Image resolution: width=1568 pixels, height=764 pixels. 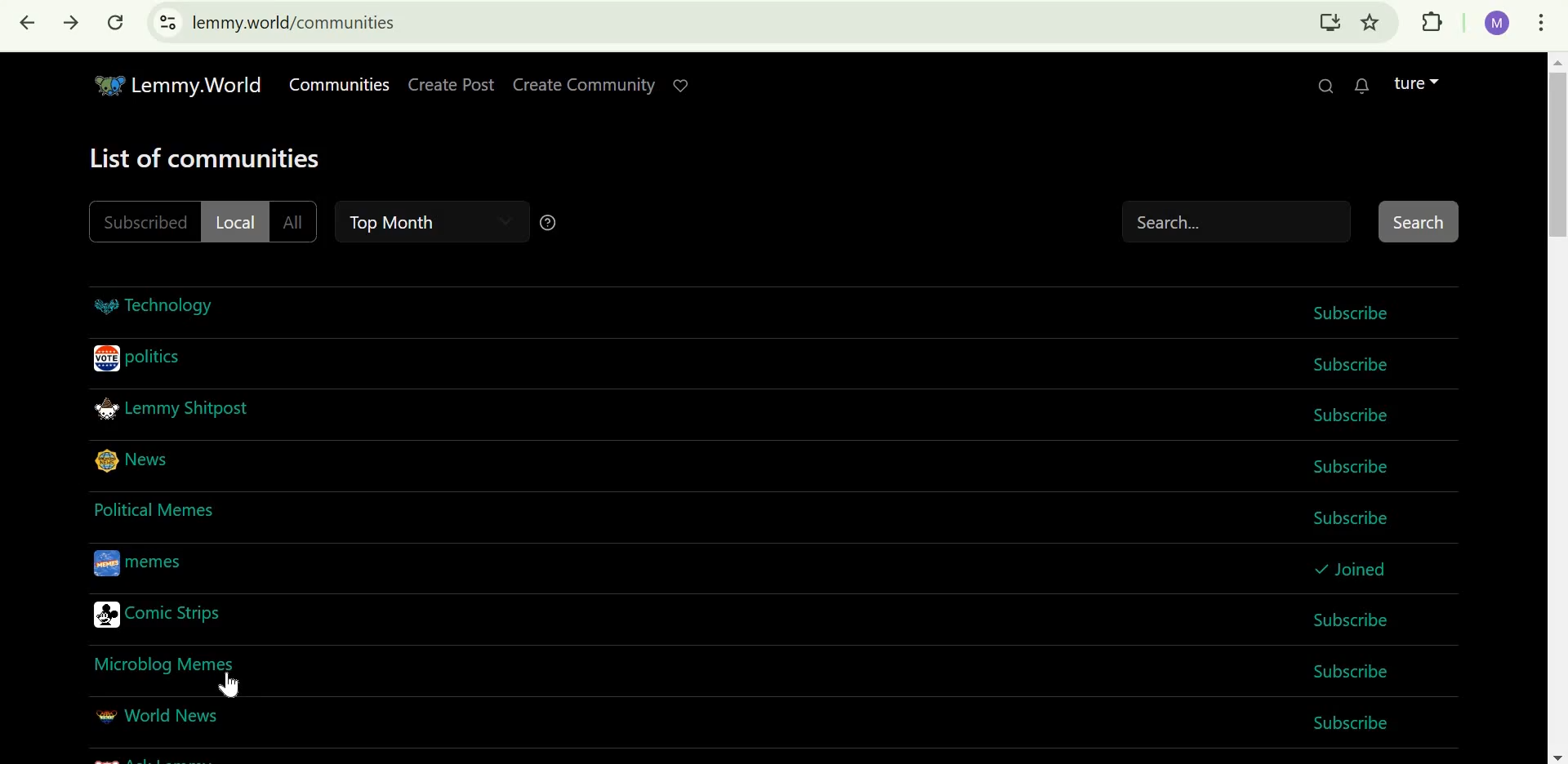 I want to click on subscribe, so click(x=1354, y=620).